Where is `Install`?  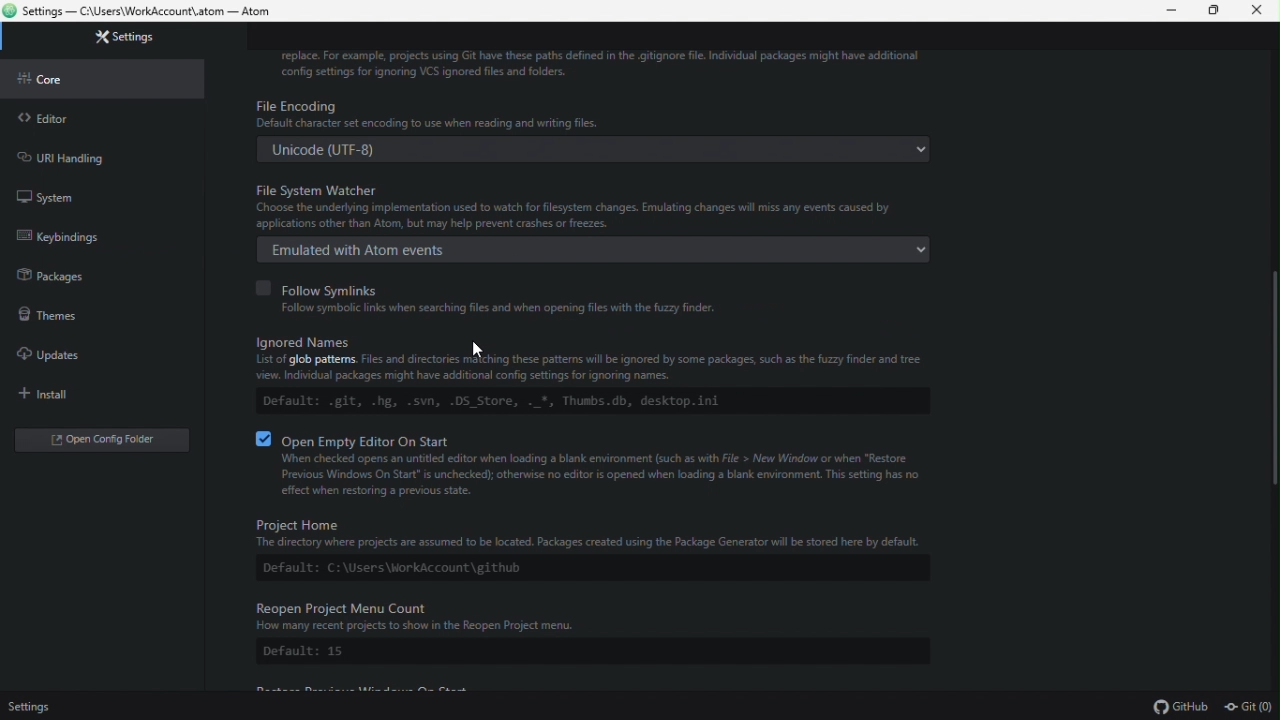 Install is located at coordinates (94, 394).